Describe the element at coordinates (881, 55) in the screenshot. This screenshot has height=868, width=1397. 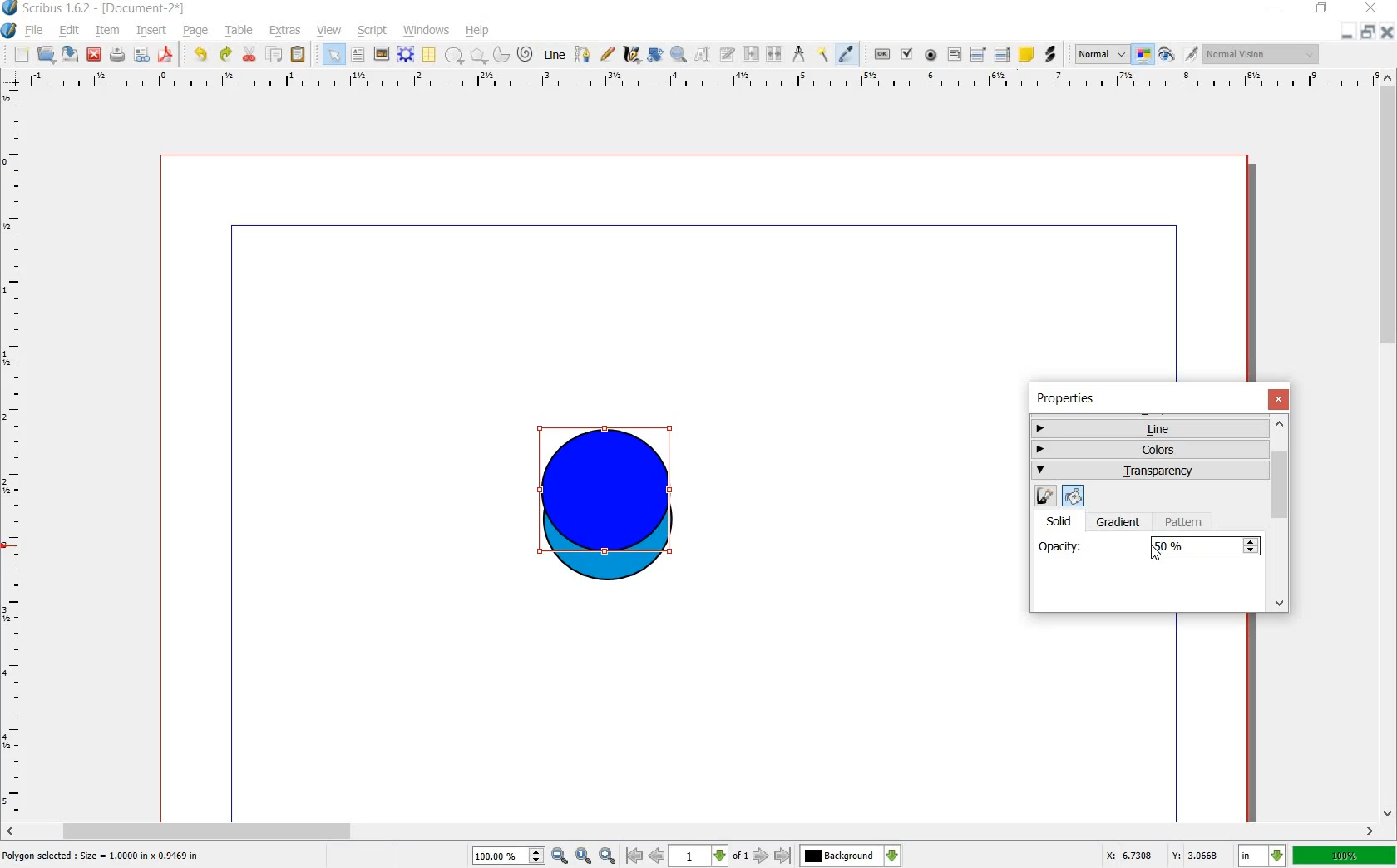
I see `pdf push button` at that location.